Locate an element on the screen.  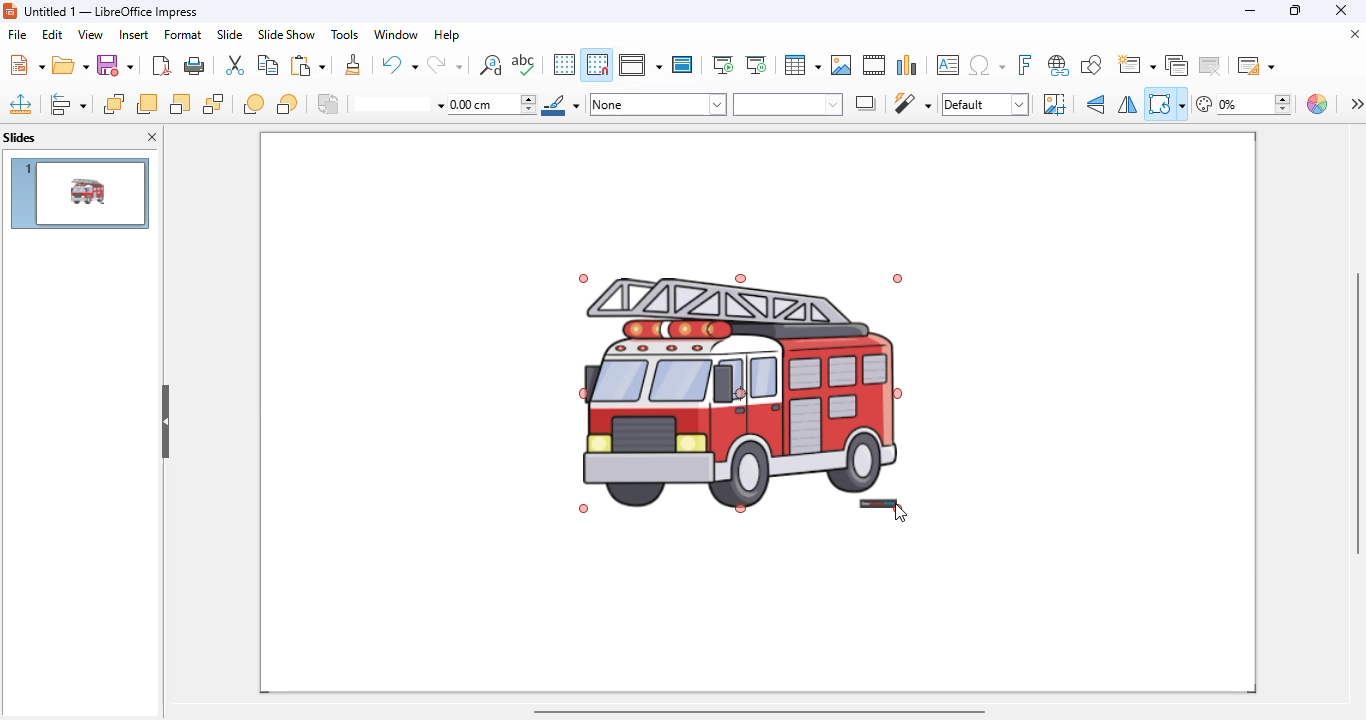
insert hyperlink is located at coordinates (1059, 65).